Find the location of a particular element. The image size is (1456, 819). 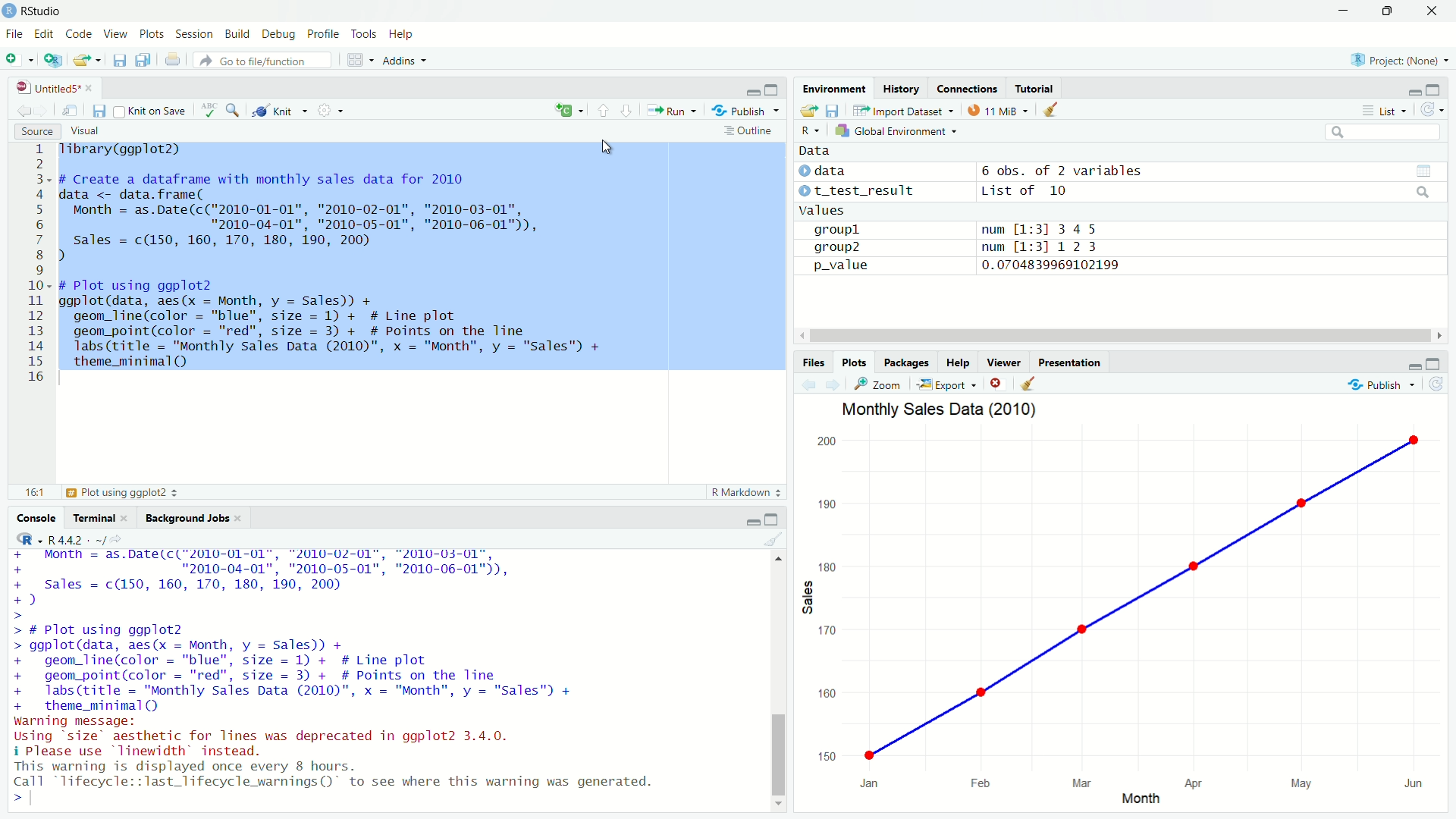

go to previous section is located at coordinates (604, 111).